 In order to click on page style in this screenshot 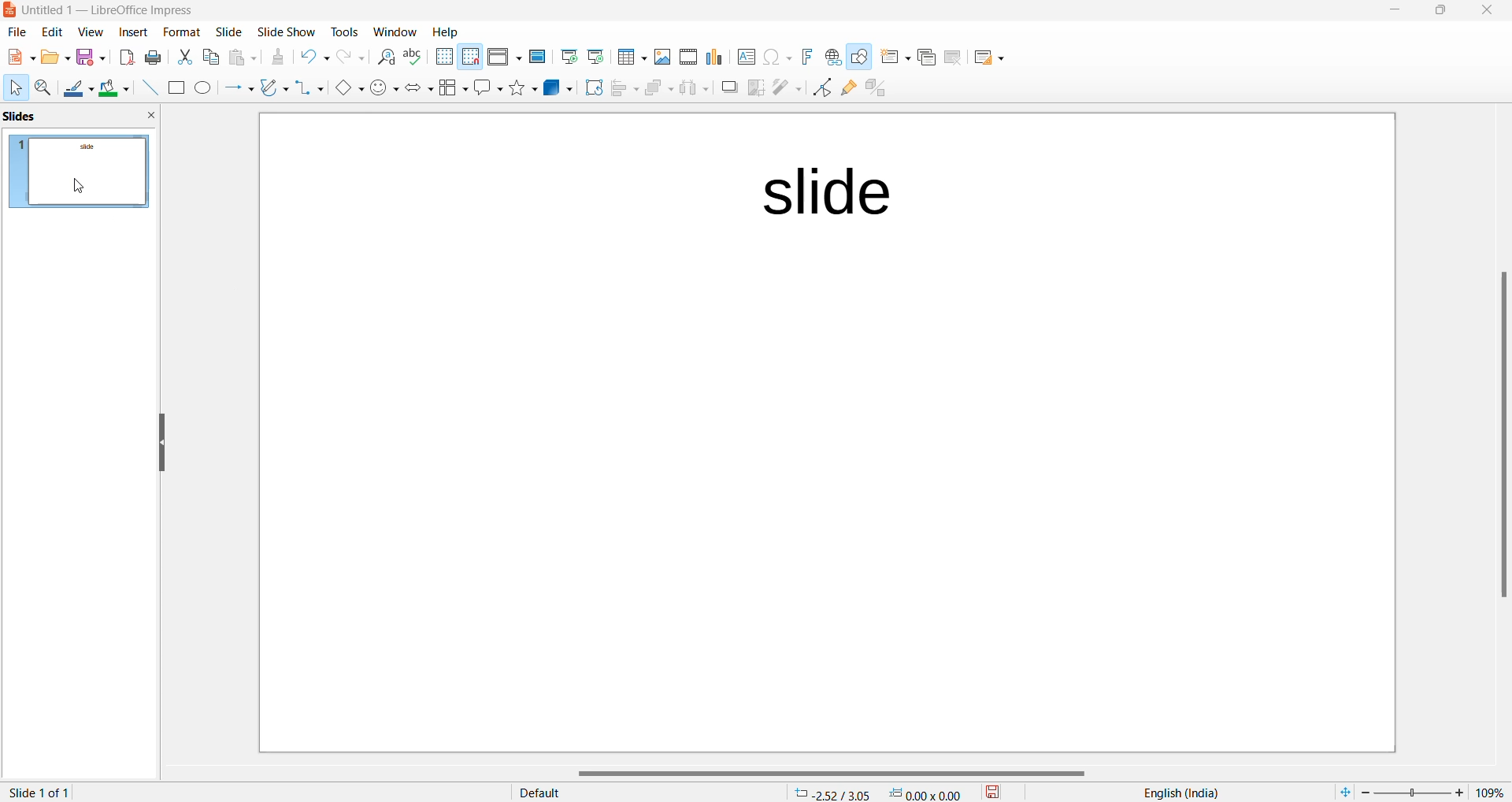, I will do `click(640, 792)`.